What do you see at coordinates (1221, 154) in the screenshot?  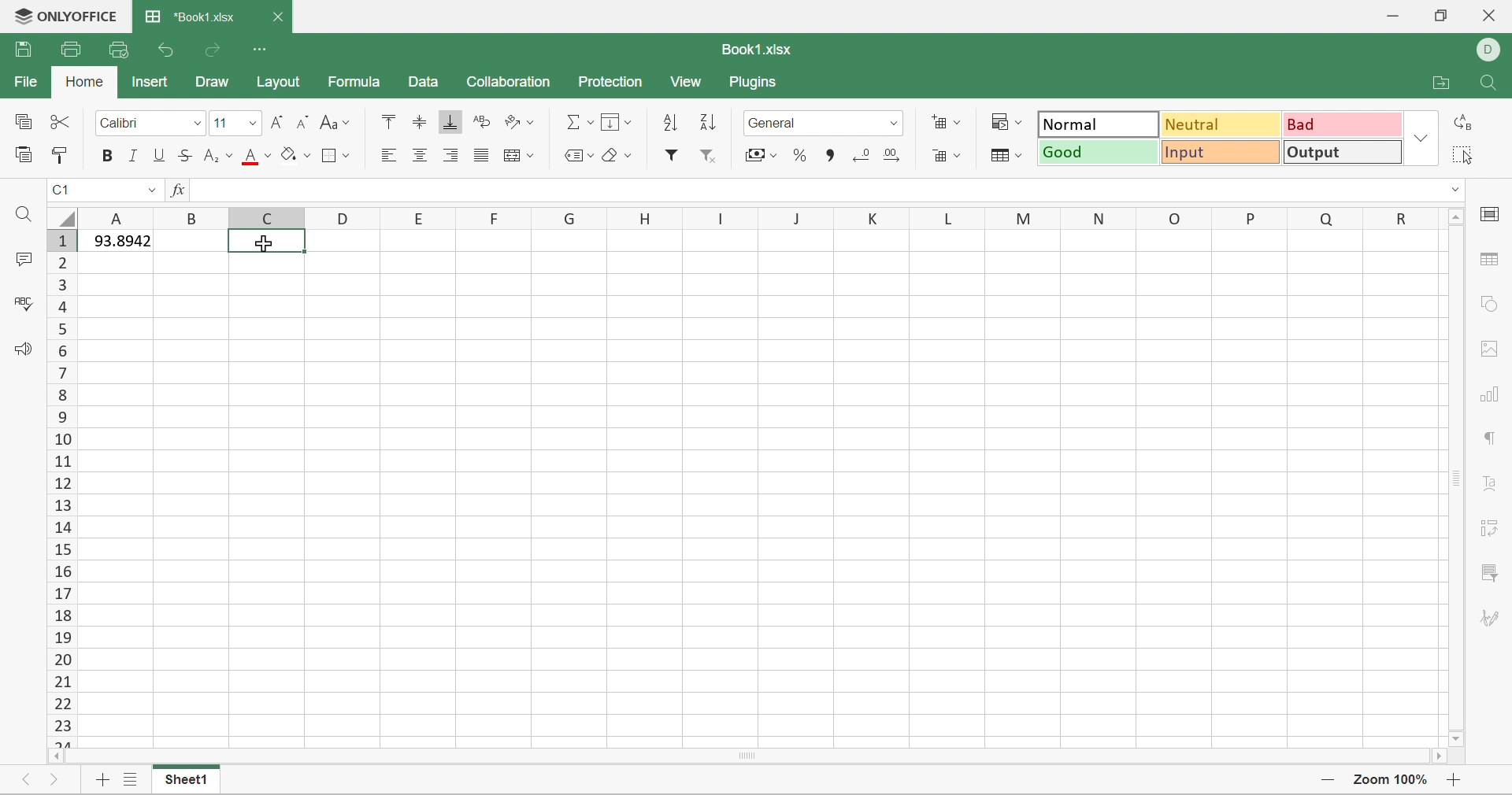 I see `Input` at bounding box center [1221, 154].